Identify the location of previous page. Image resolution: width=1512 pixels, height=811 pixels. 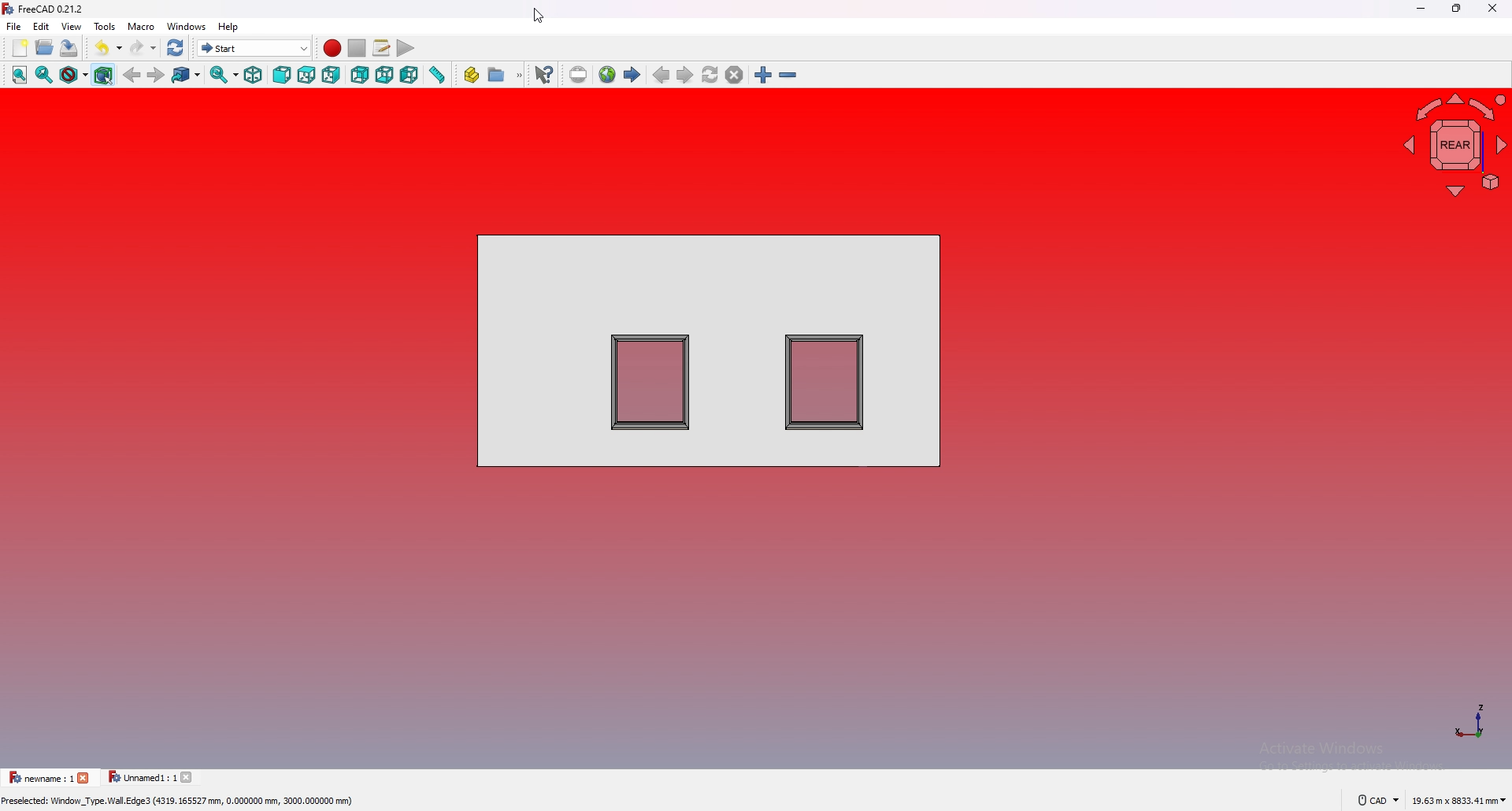
(661, 75).